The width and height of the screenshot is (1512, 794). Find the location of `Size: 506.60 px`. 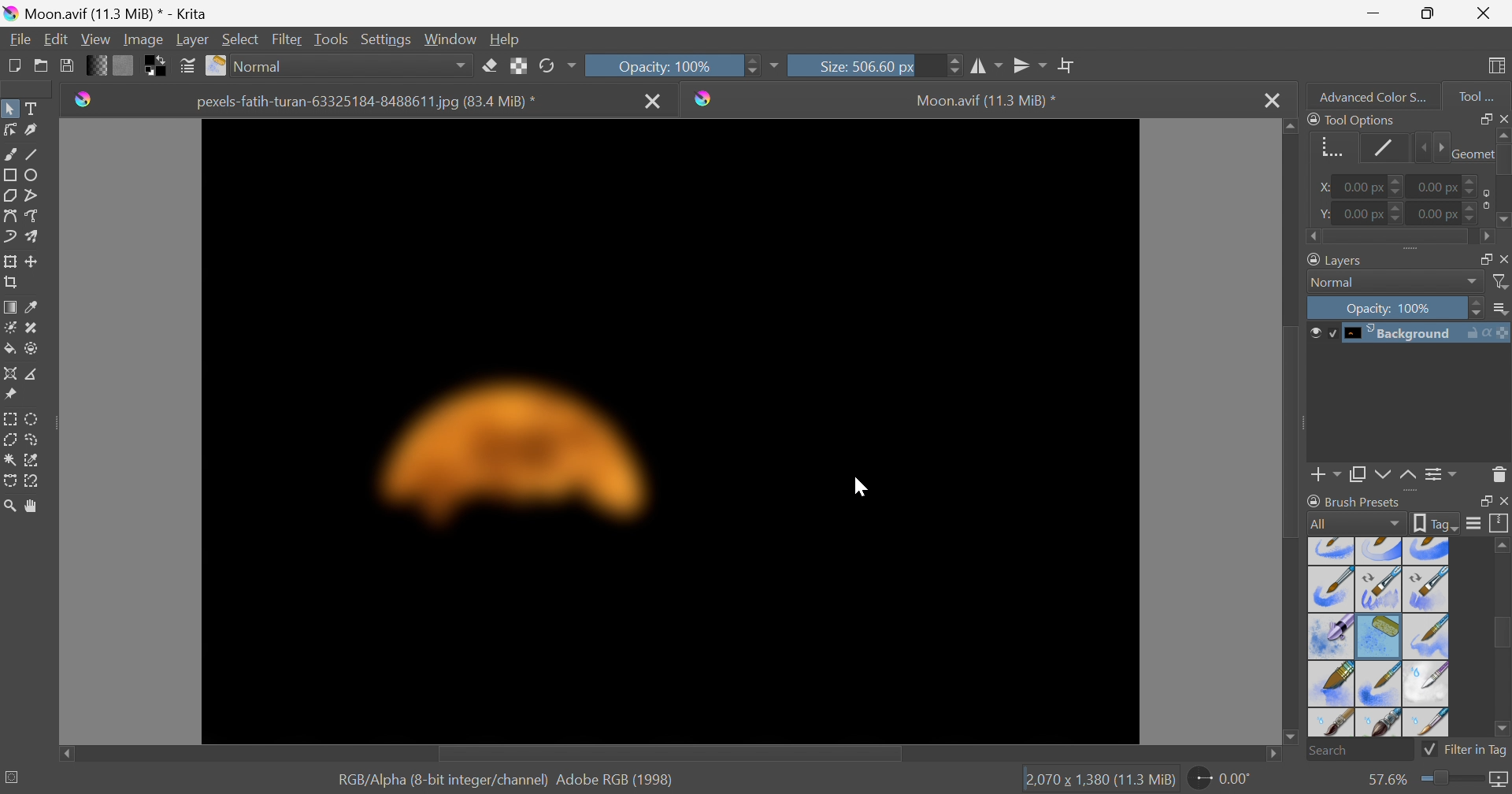

Size: 506.60 px is located at coordinates (875, 65).